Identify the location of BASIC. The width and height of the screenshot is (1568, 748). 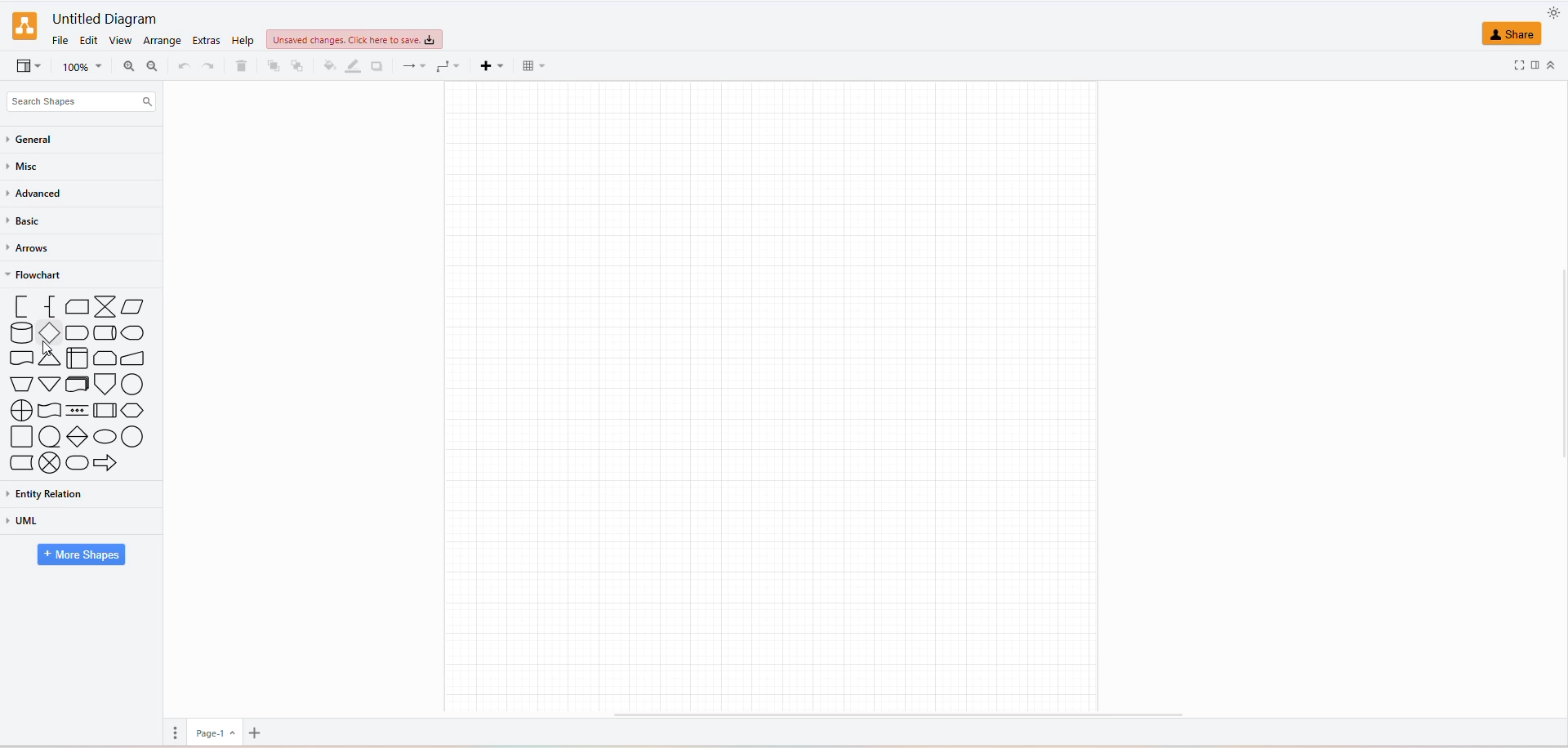
(25, 223).